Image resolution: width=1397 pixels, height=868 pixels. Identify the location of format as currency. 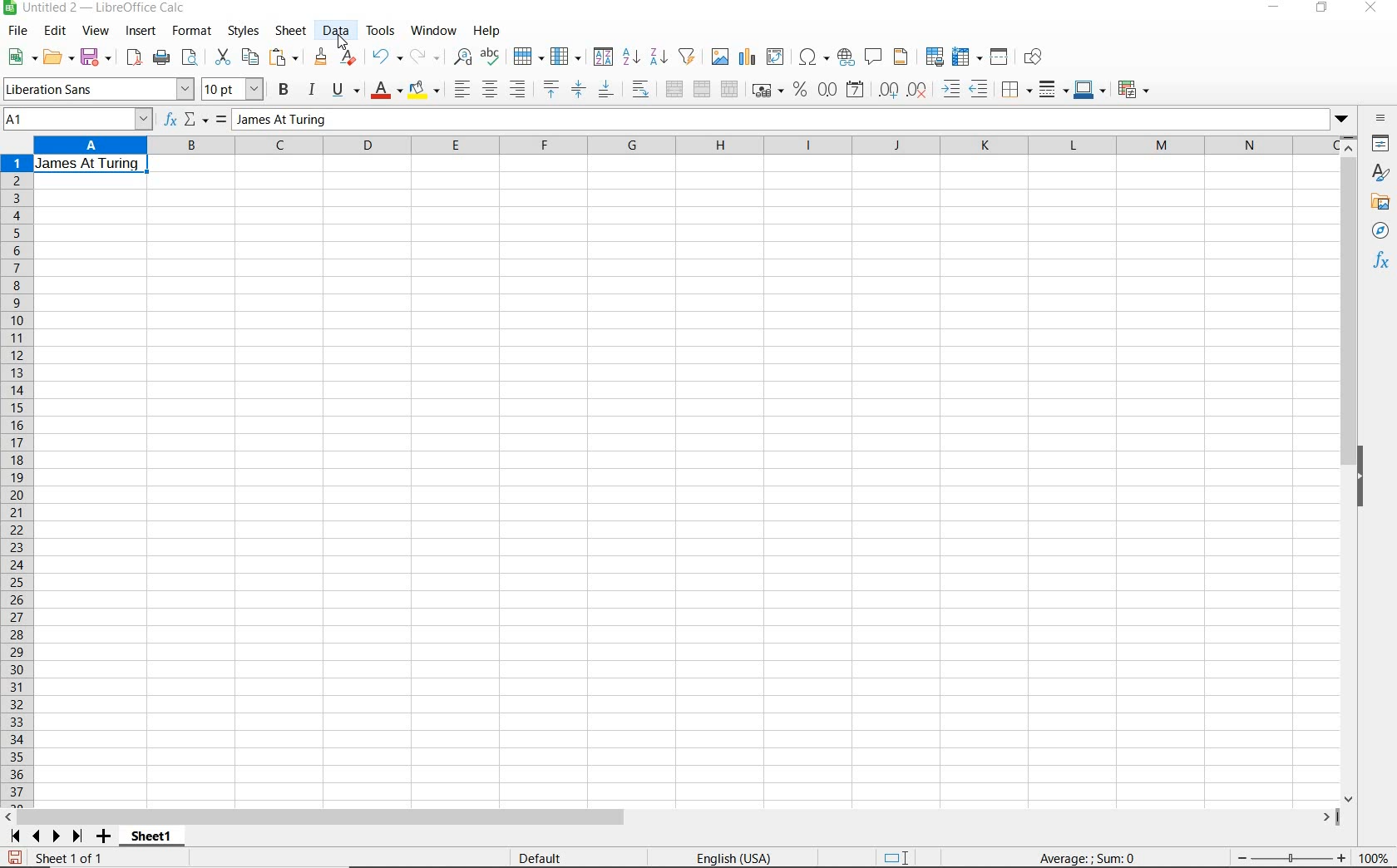
(767, 91).